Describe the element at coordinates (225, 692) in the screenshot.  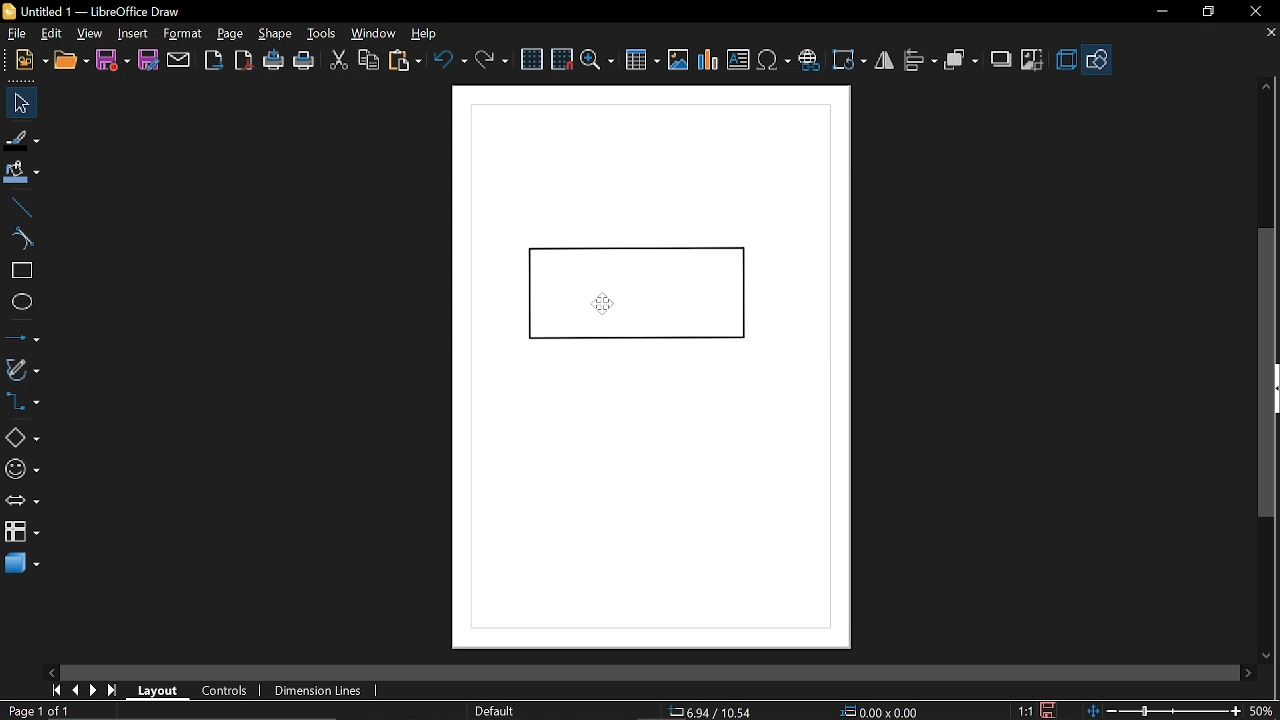
I see `controls` at that location.